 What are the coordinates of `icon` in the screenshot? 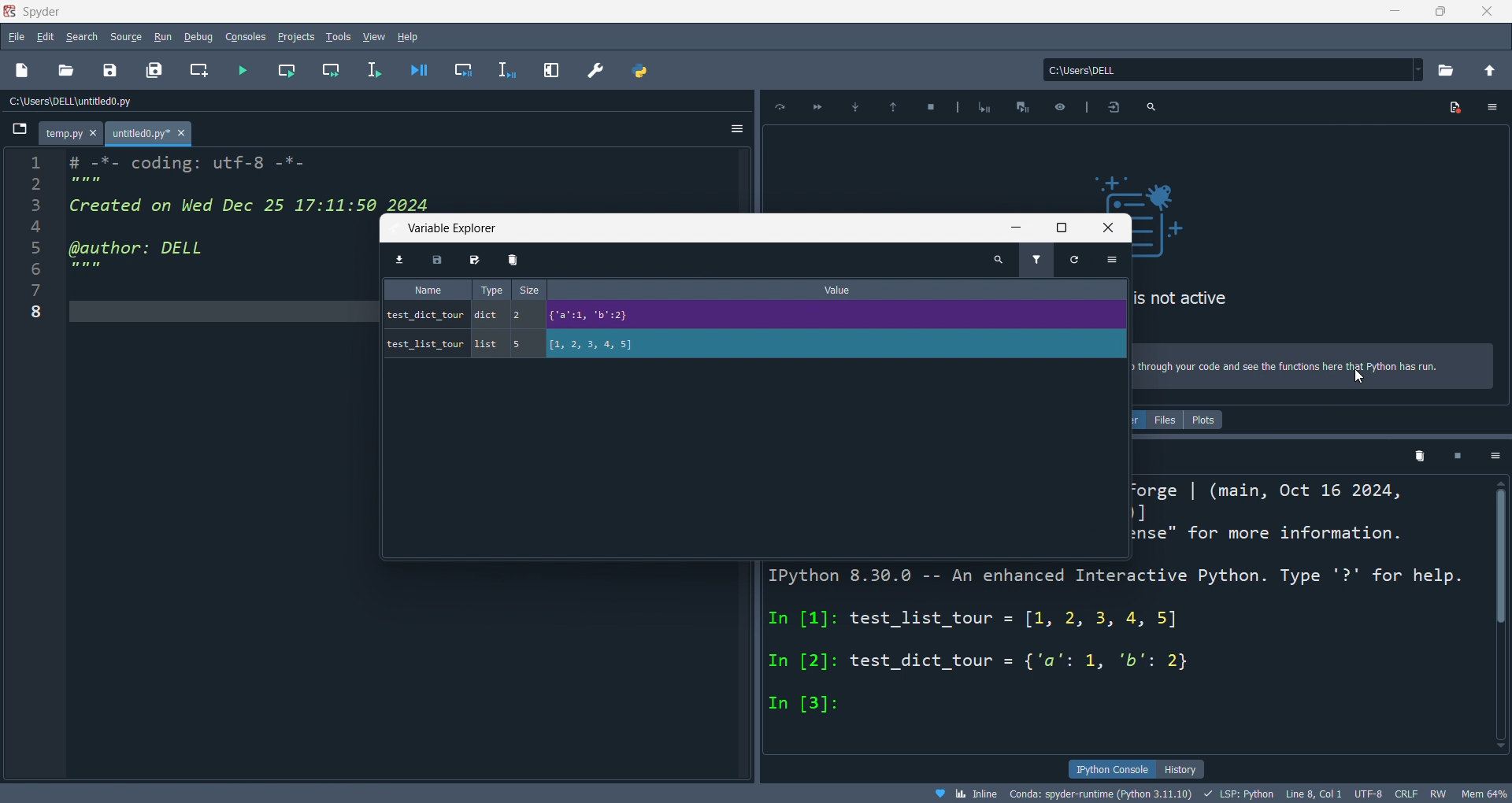 It's located at (1059, 109).